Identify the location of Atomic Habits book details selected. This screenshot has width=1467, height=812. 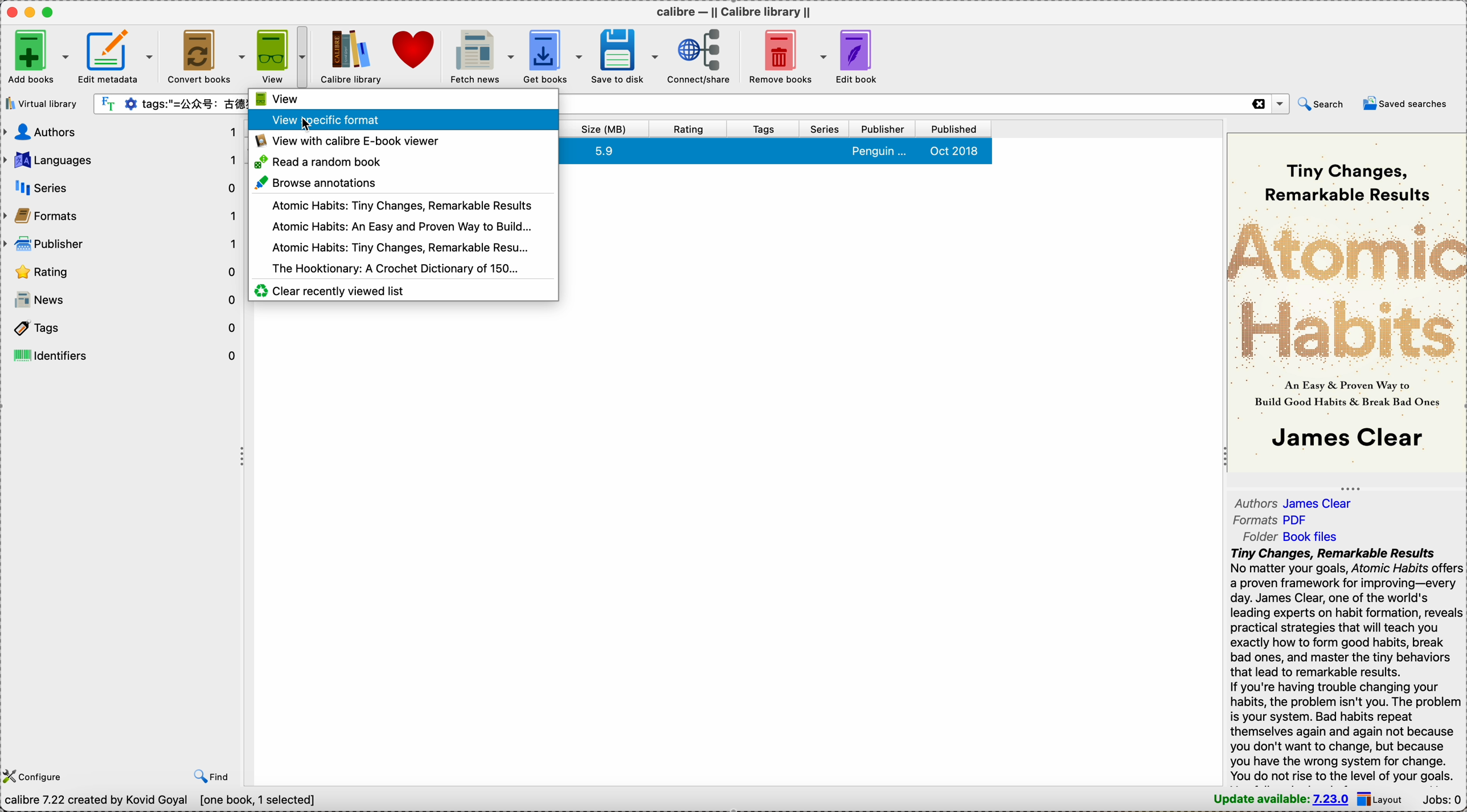
(777, 151).